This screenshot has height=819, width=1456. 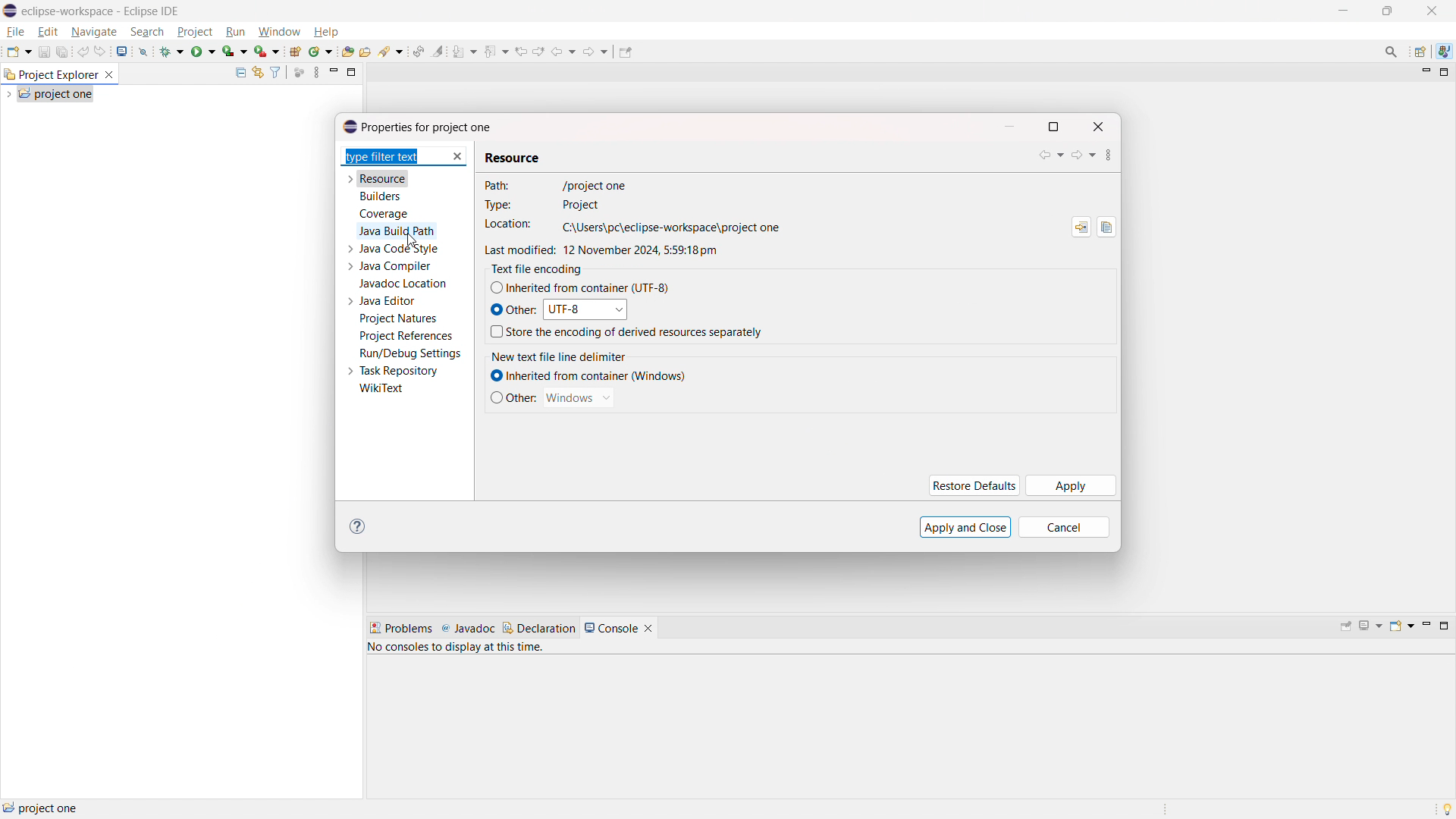 I want to click on resource, so click(x=514, y=154).